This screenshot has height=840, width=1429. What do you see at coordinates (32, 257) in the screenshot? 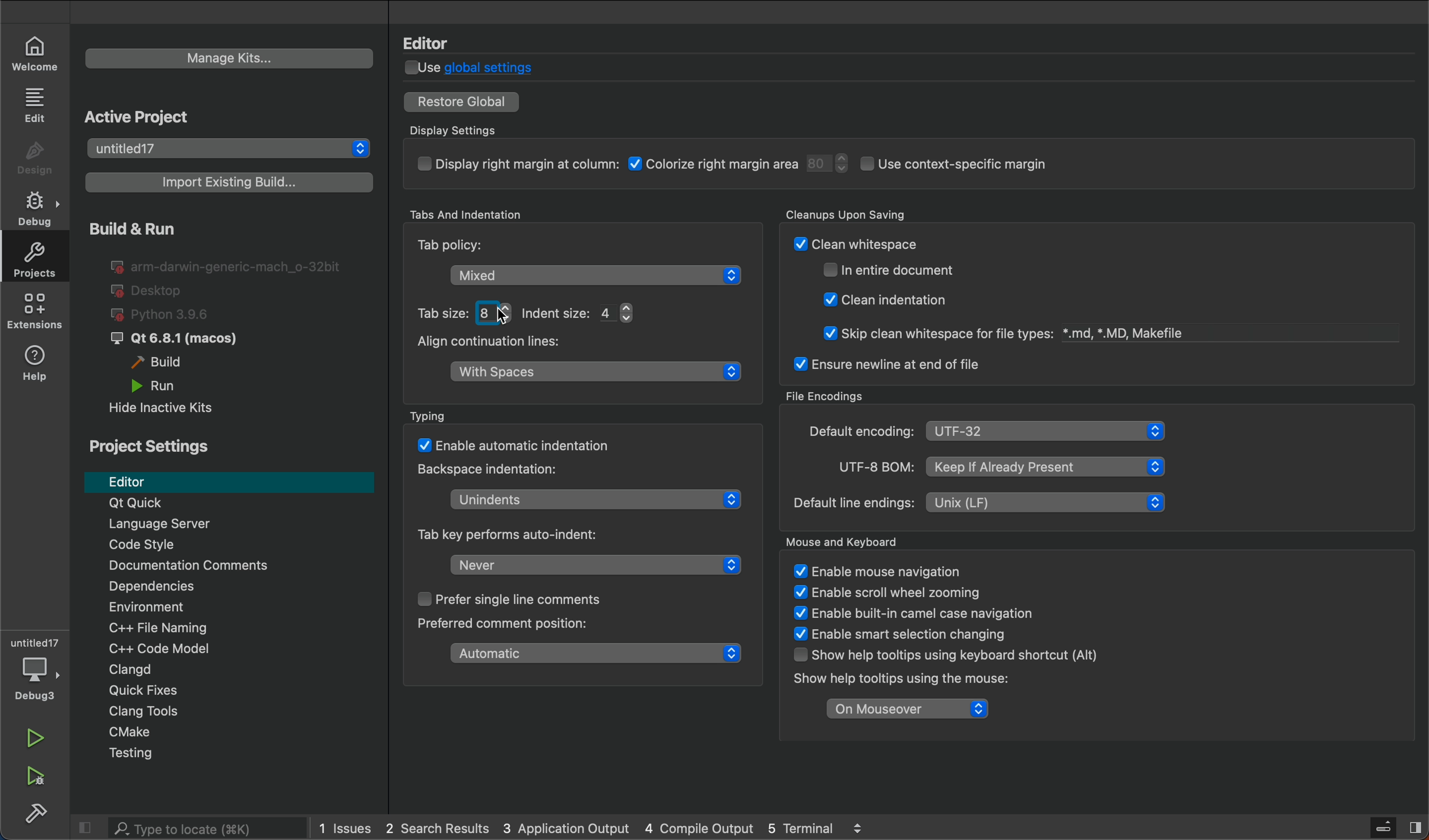
I see `projects` at bounding box center [32, 257].